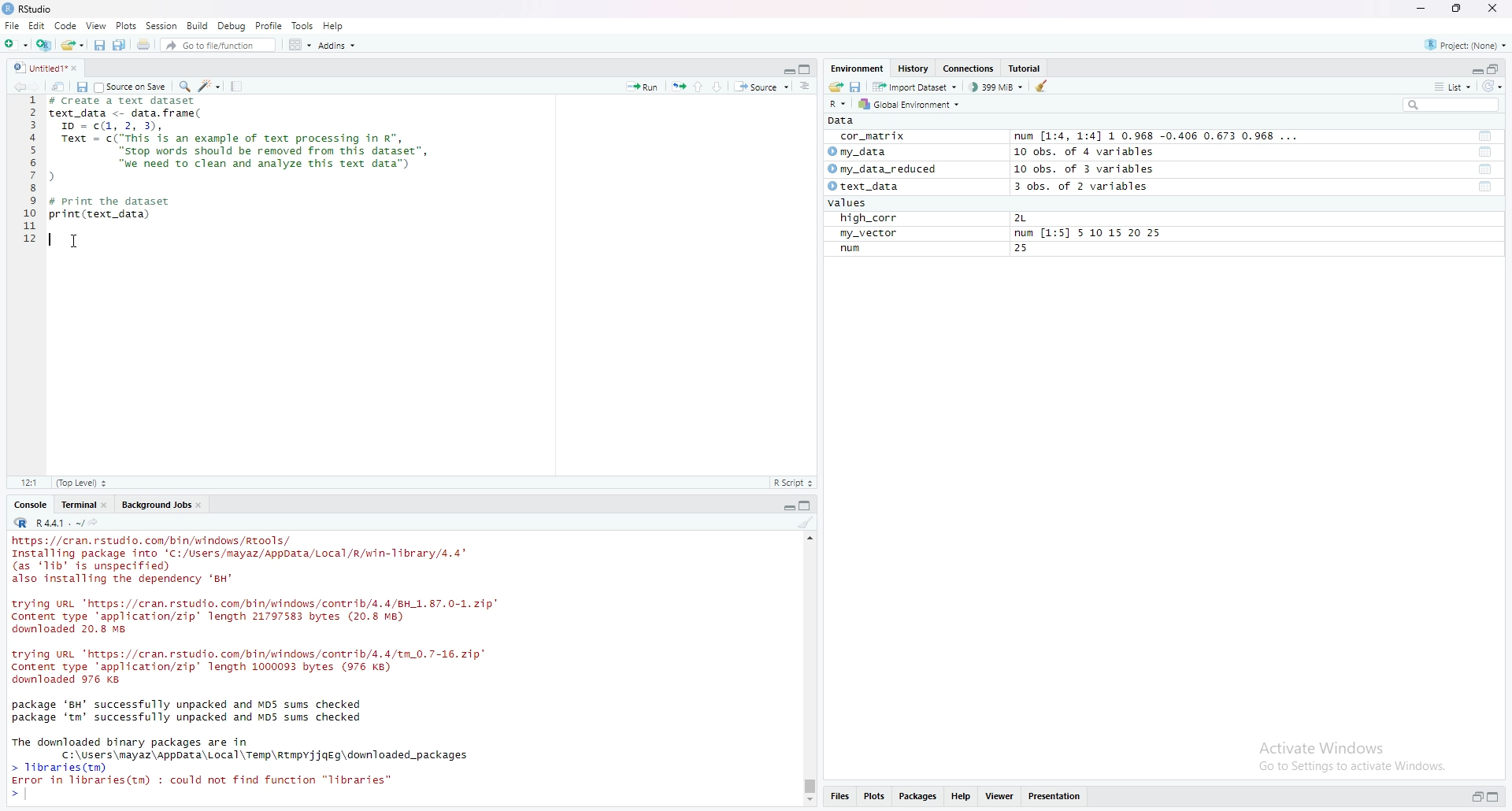  I want to click on  my data, so click(858, 150).